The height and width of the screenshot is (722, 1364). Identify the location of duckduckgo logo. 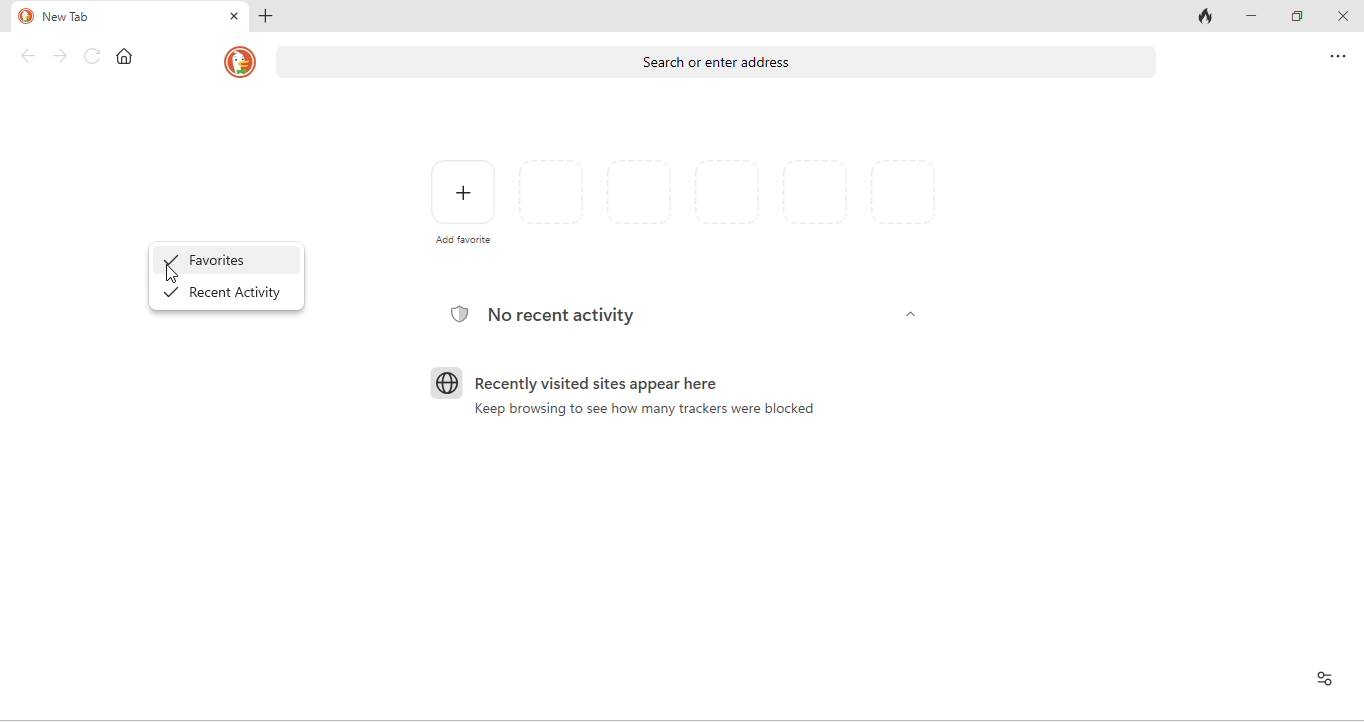
(237, 64).